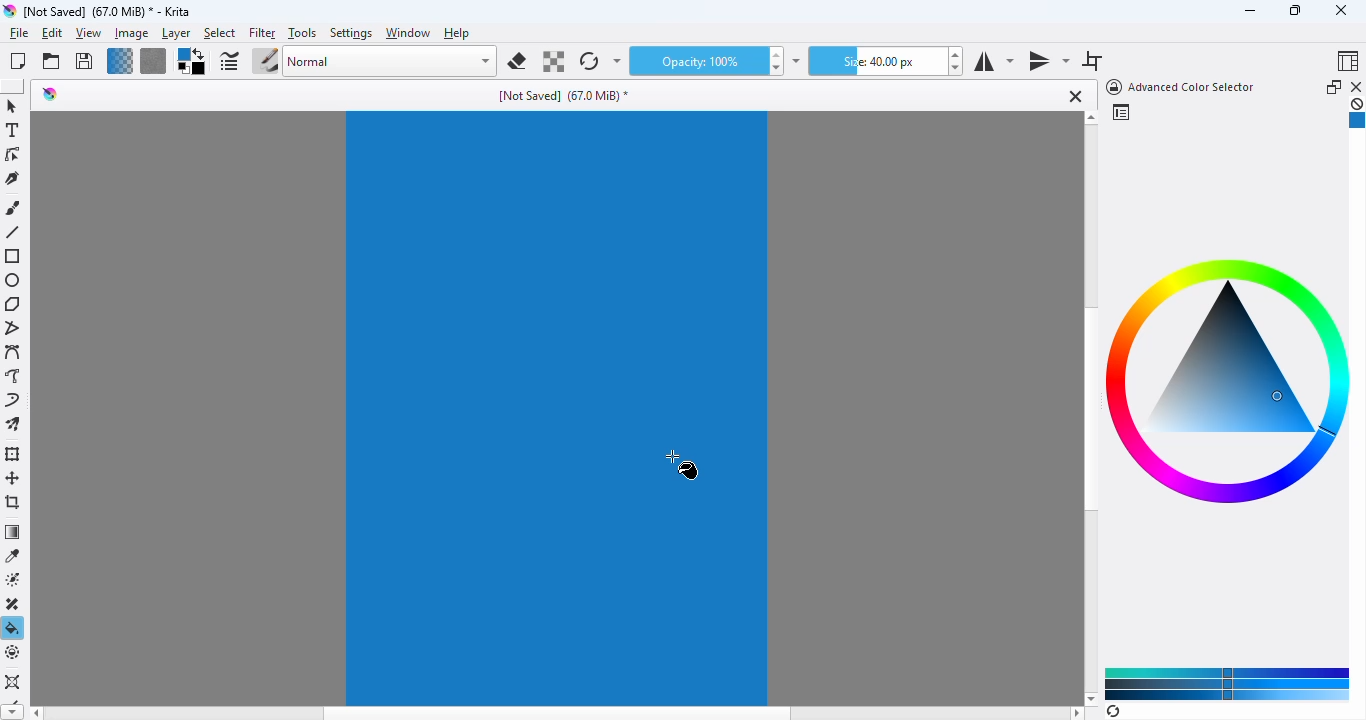  Describe the element at coordinates (682, 464) in the screenshot. I see `cursor` at that location.